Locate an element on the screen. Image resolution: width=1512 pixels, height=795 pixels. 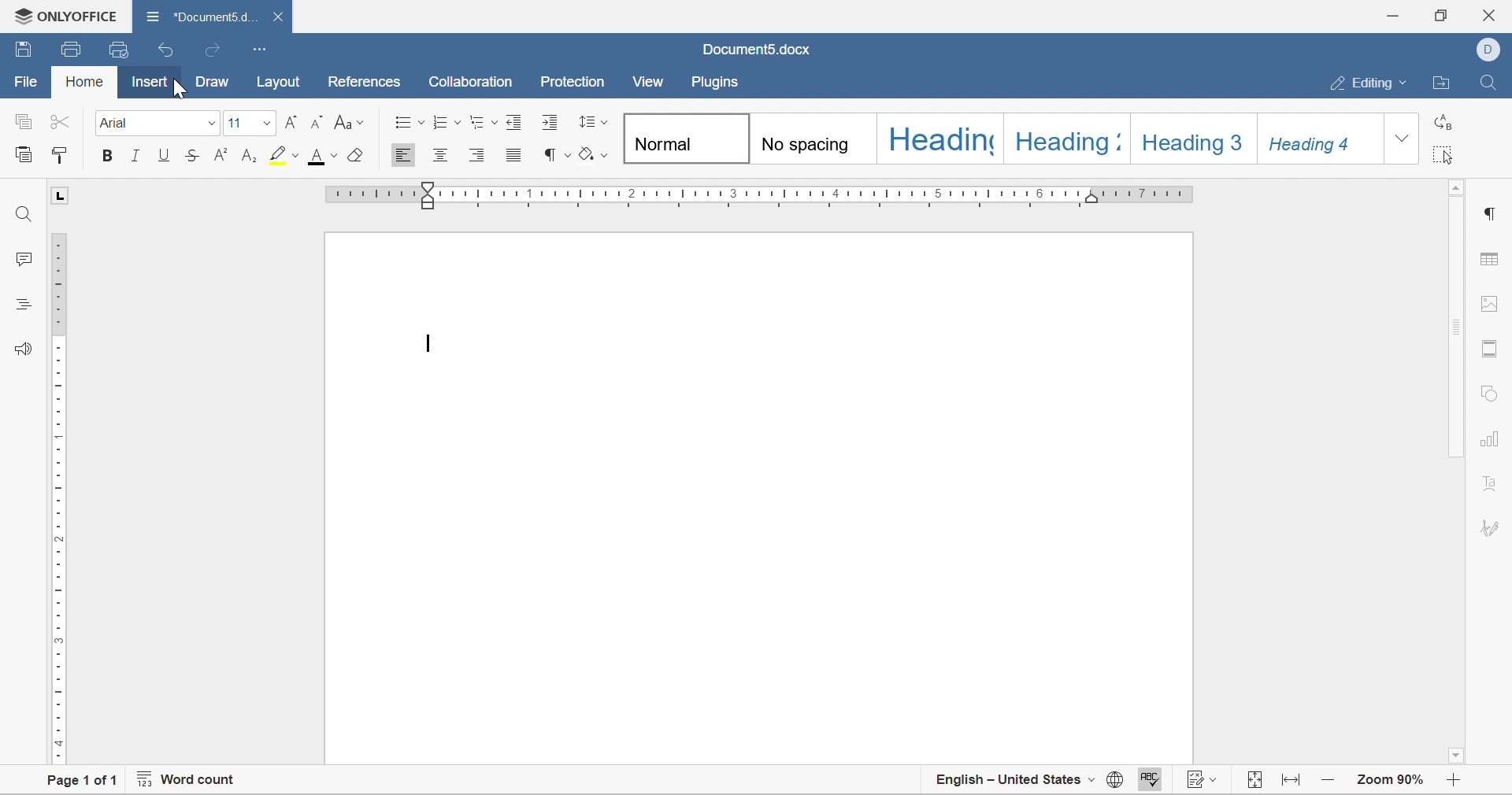
italic is located at coordinates (133, 155).